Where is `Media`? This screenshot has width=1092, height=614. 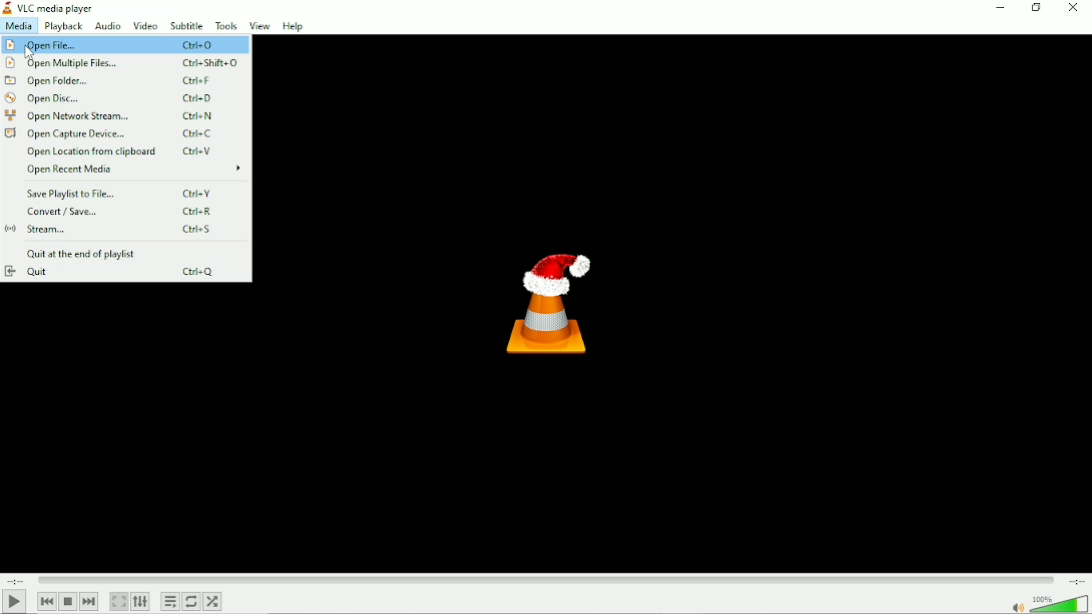 Media is located at coordinates (19, 27).